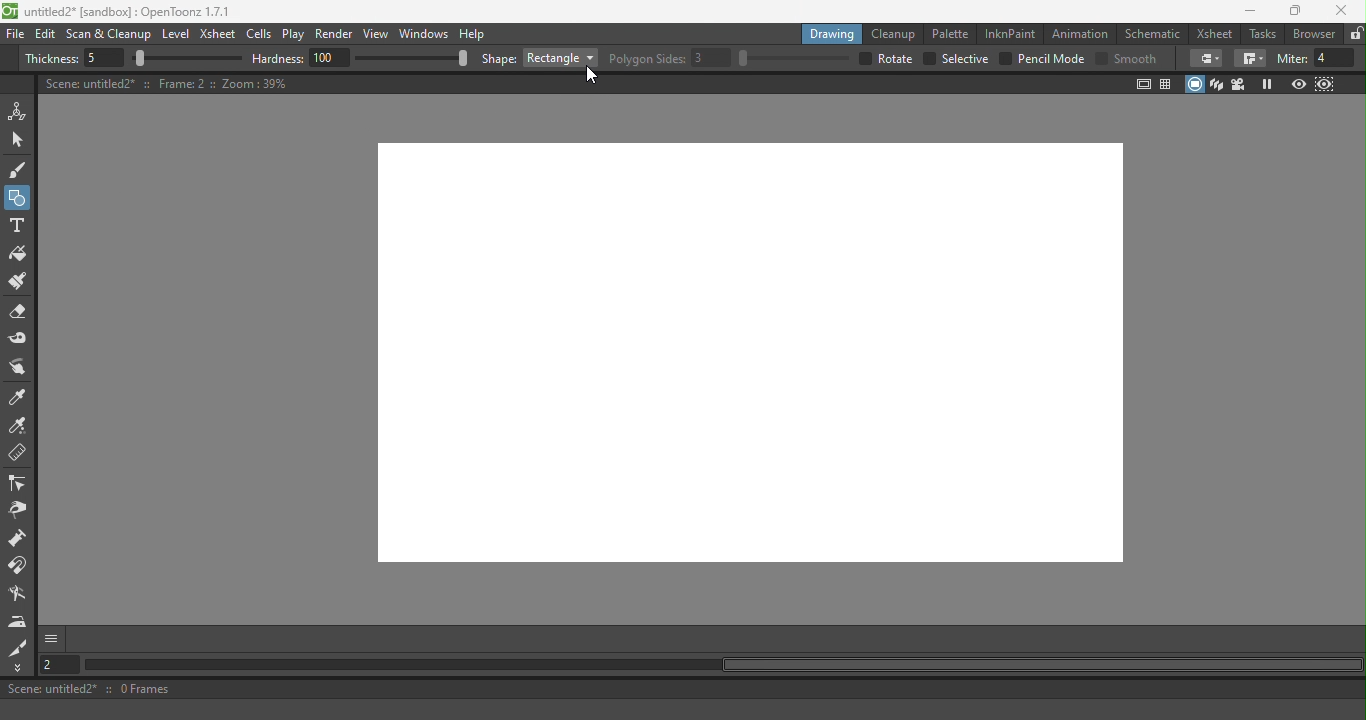 The image size is (1366, 720). I want to click on Scan & Cleanup, so click(108, 34).